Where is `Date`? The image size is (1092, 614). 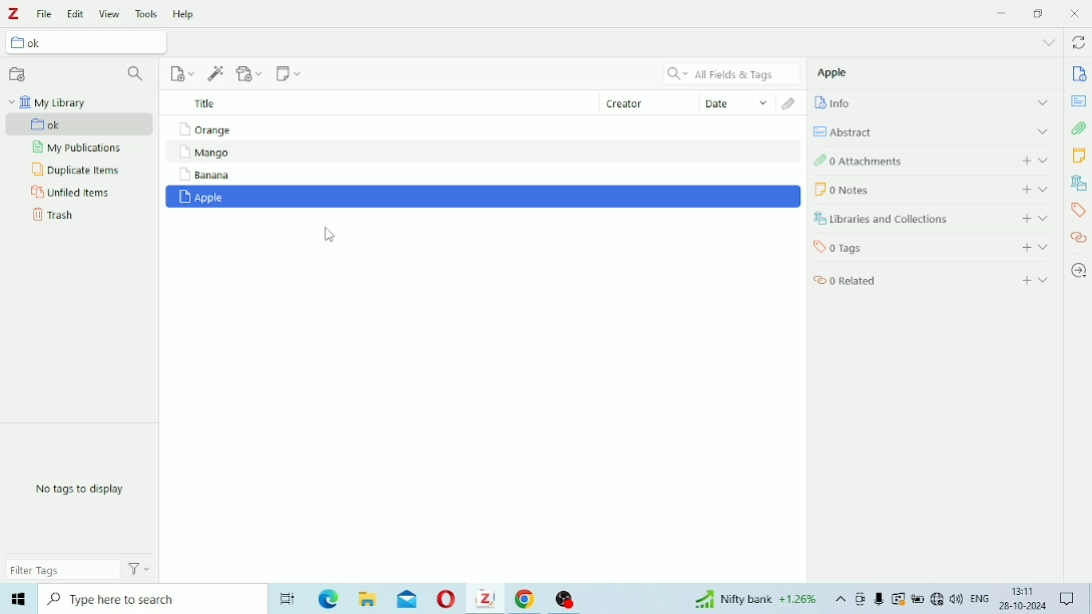
Date is located at coordinates (731, 104).